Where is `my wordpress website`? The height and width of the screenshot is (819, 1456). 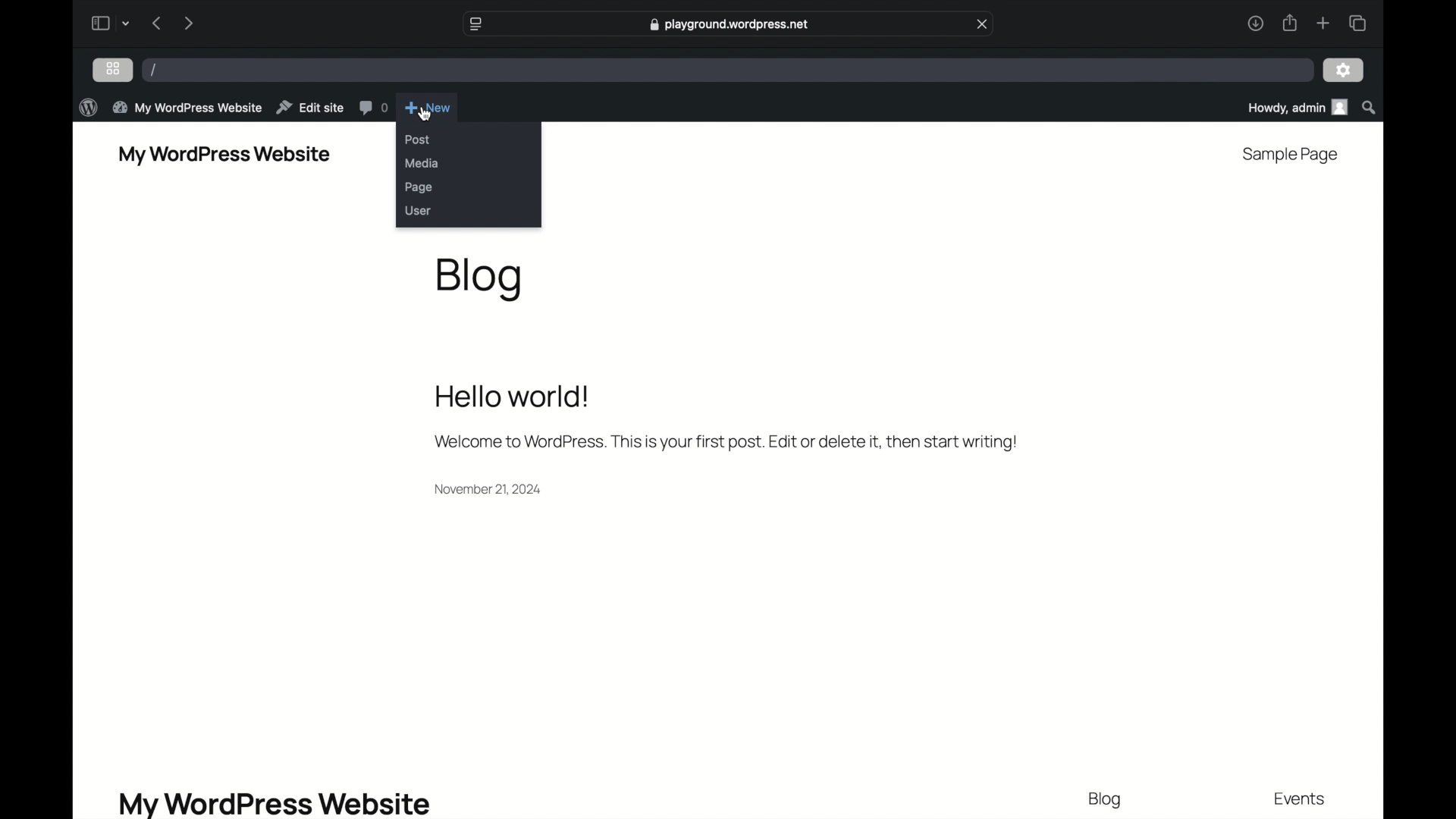 my wordpress website is located at coordinates (224, 155).